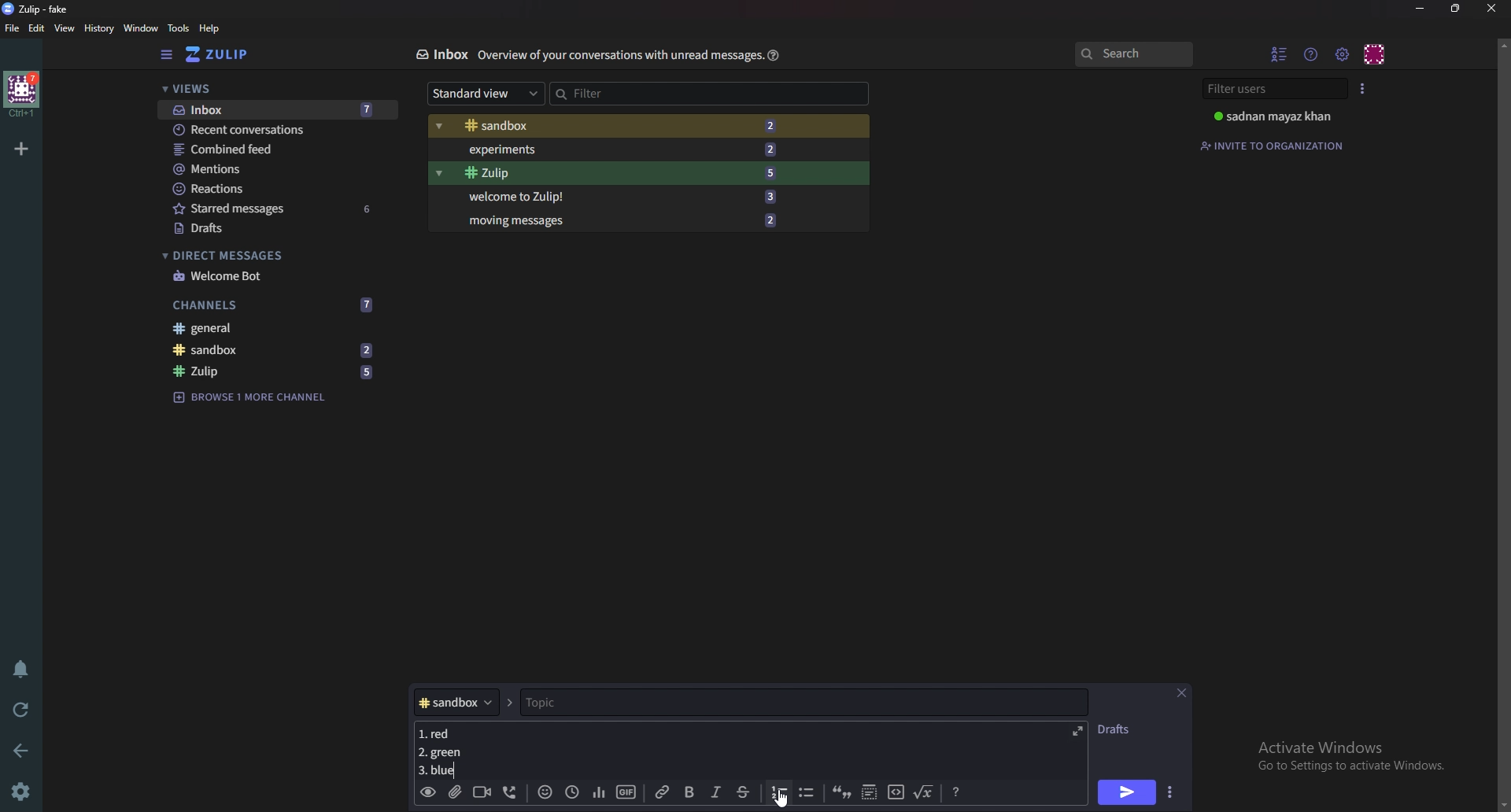 The width and height of the screenshot is (1511, 812). I want to click on Send options, so click(1169, 794).